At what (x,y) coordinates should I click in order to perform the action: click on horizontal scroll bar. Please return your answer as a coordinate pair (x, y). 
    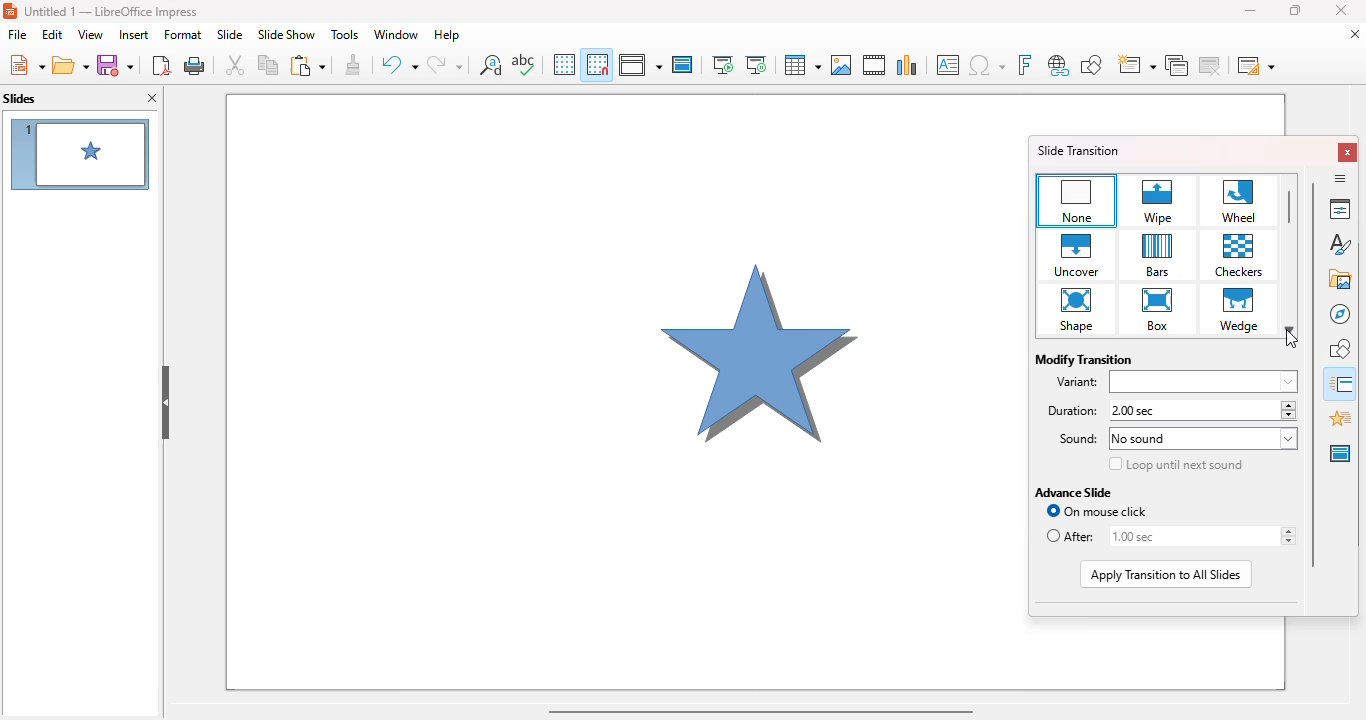
    Looking at the image, I should click on (760, 711).